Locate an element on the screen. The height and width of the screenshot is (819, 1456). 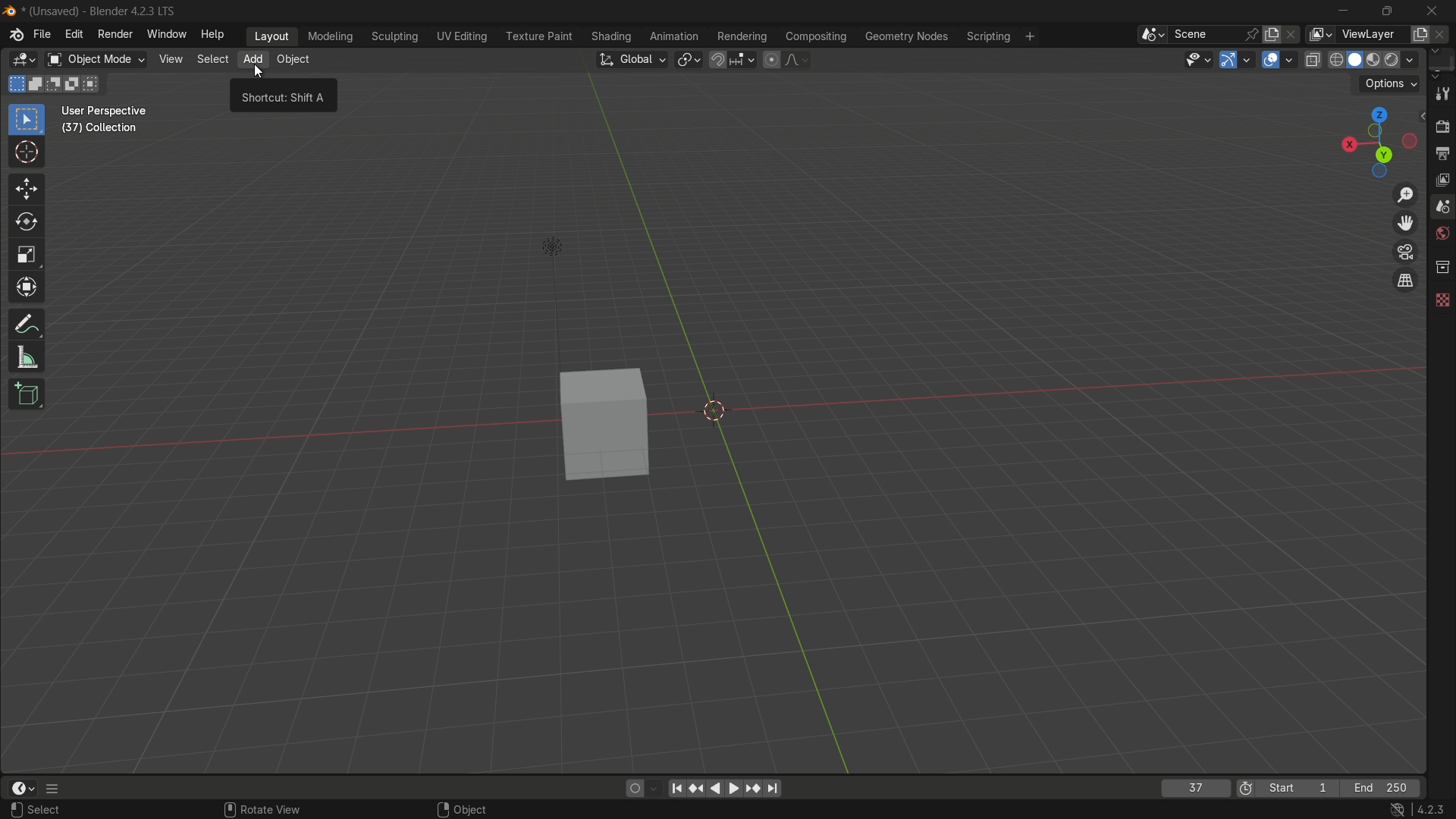
jump keyframe is located at coordinates (754, 788).